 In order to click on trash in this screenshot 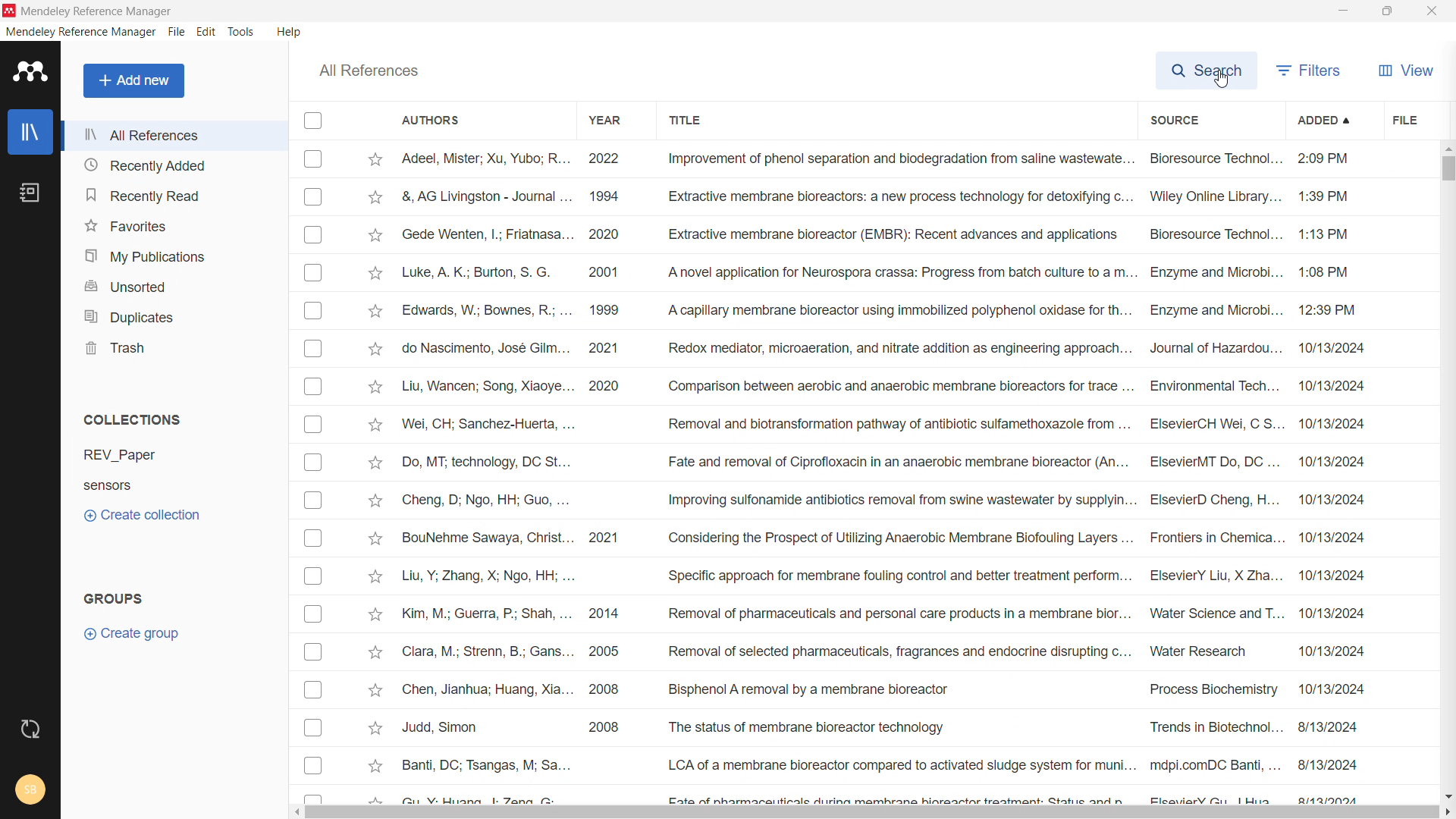, I will do `click(173, 348)`.